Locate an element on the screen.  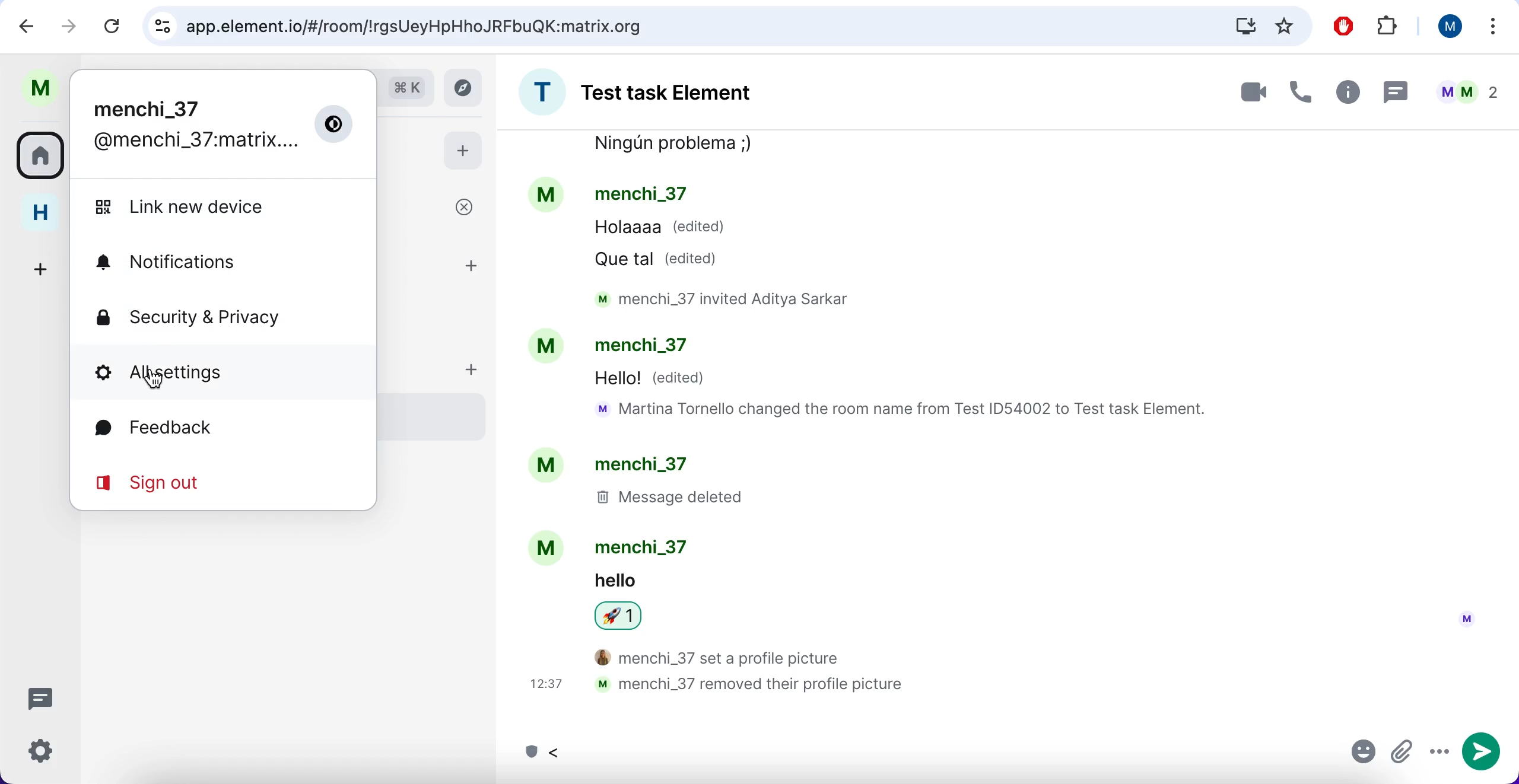
add is located at coordinates (475, 267).